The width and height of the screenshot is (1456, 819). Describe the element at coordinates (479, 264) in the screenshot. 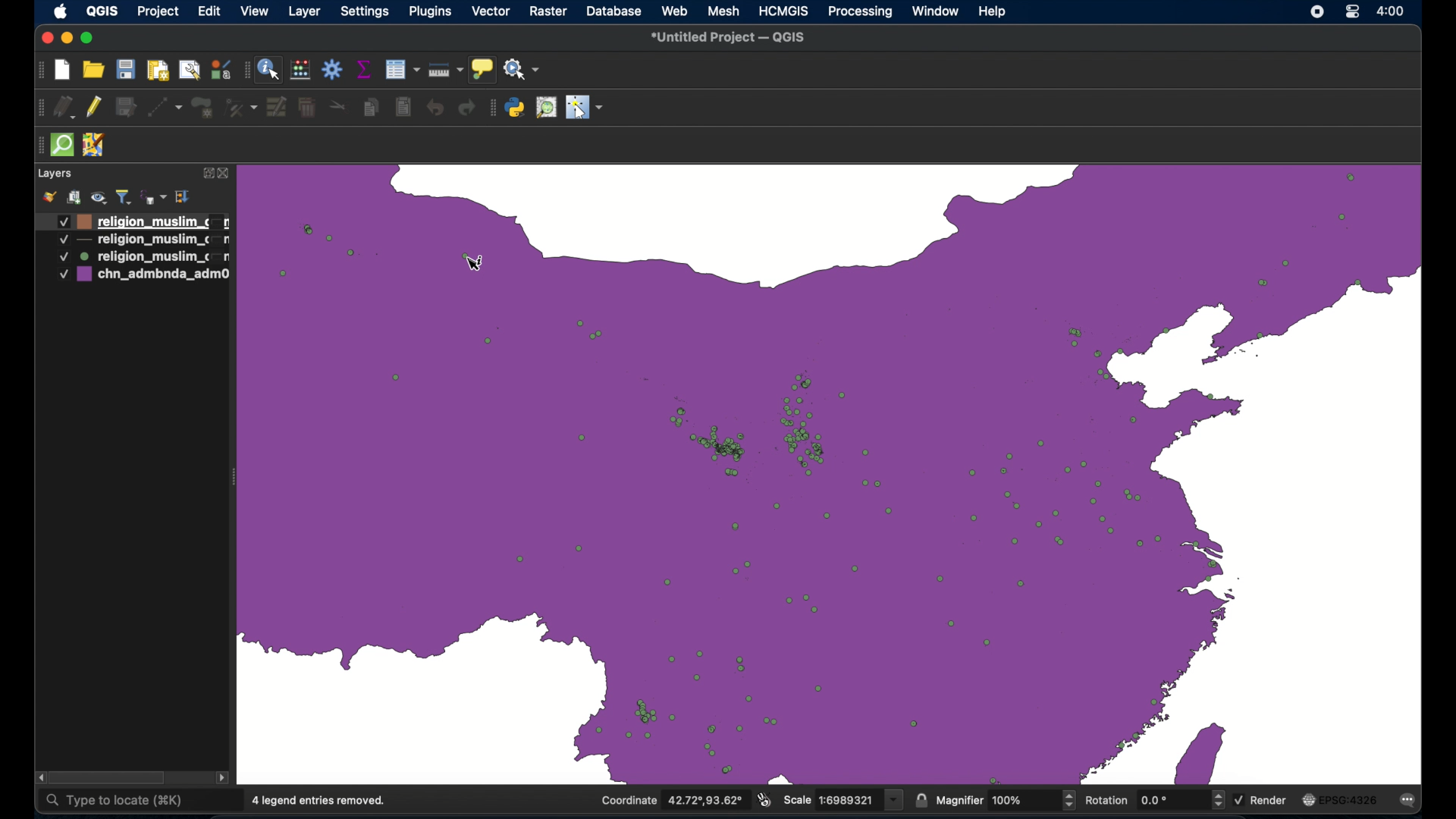

I see `identify tool cursor` at that location.